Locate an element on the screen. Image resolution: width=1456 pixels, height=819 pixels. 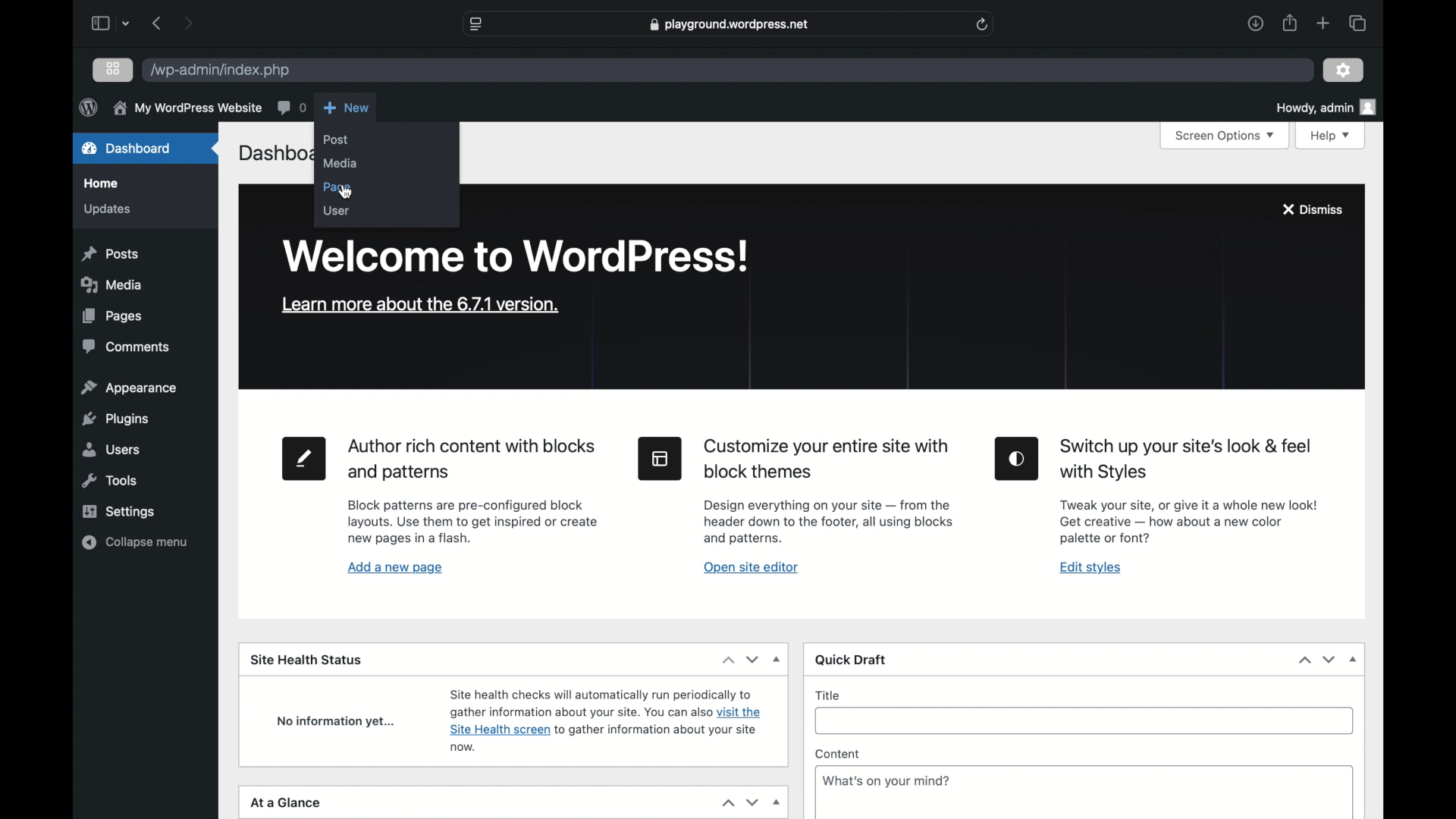
wordpress is located at coordinates (88, 107).